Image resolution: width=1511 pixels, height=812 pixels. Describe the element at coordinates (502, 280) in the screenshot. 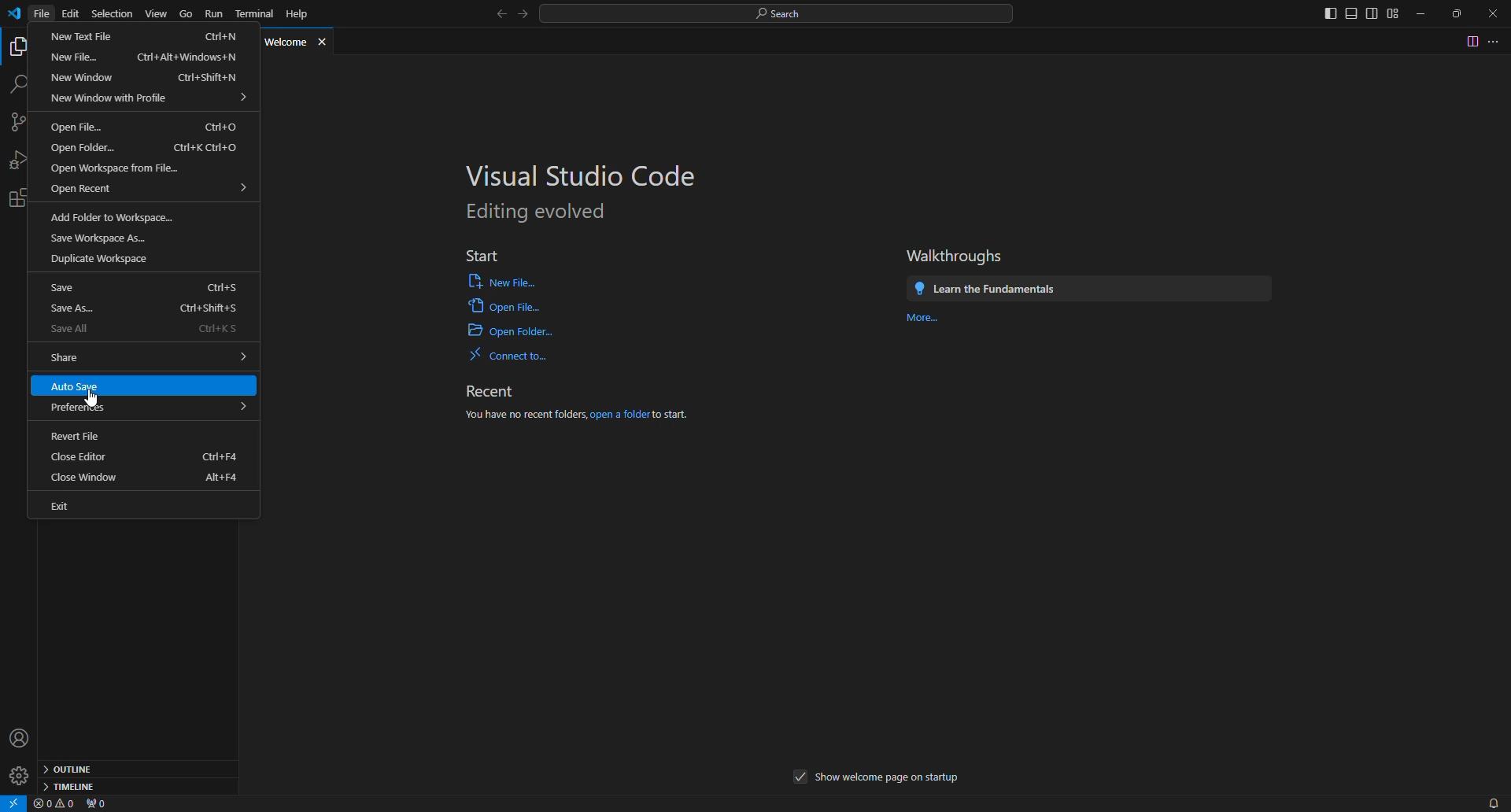

I see `open file` at that location.